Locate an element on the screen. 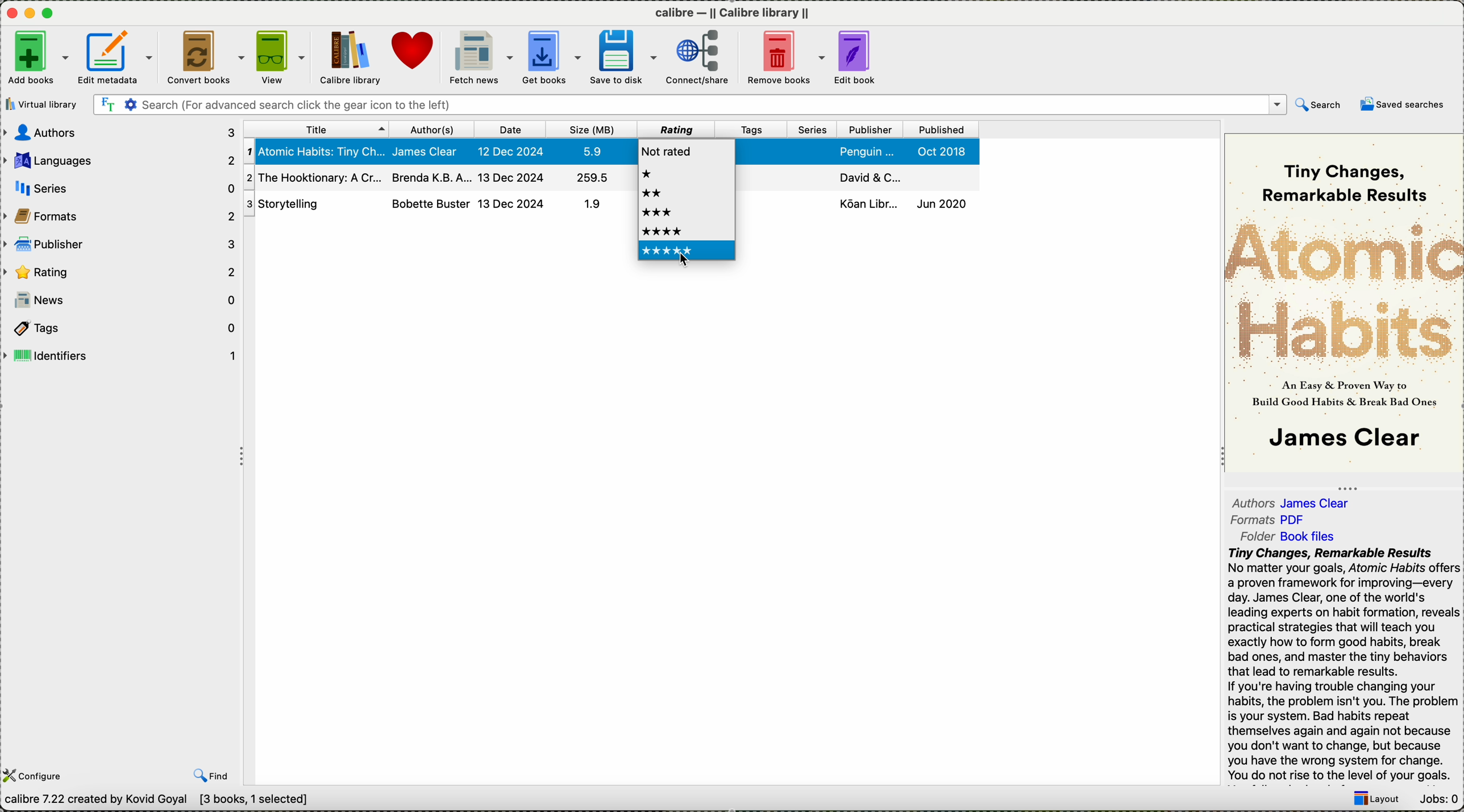 This screenshot has width=1464, height=812. three stars is located at coordinates (660, 213).